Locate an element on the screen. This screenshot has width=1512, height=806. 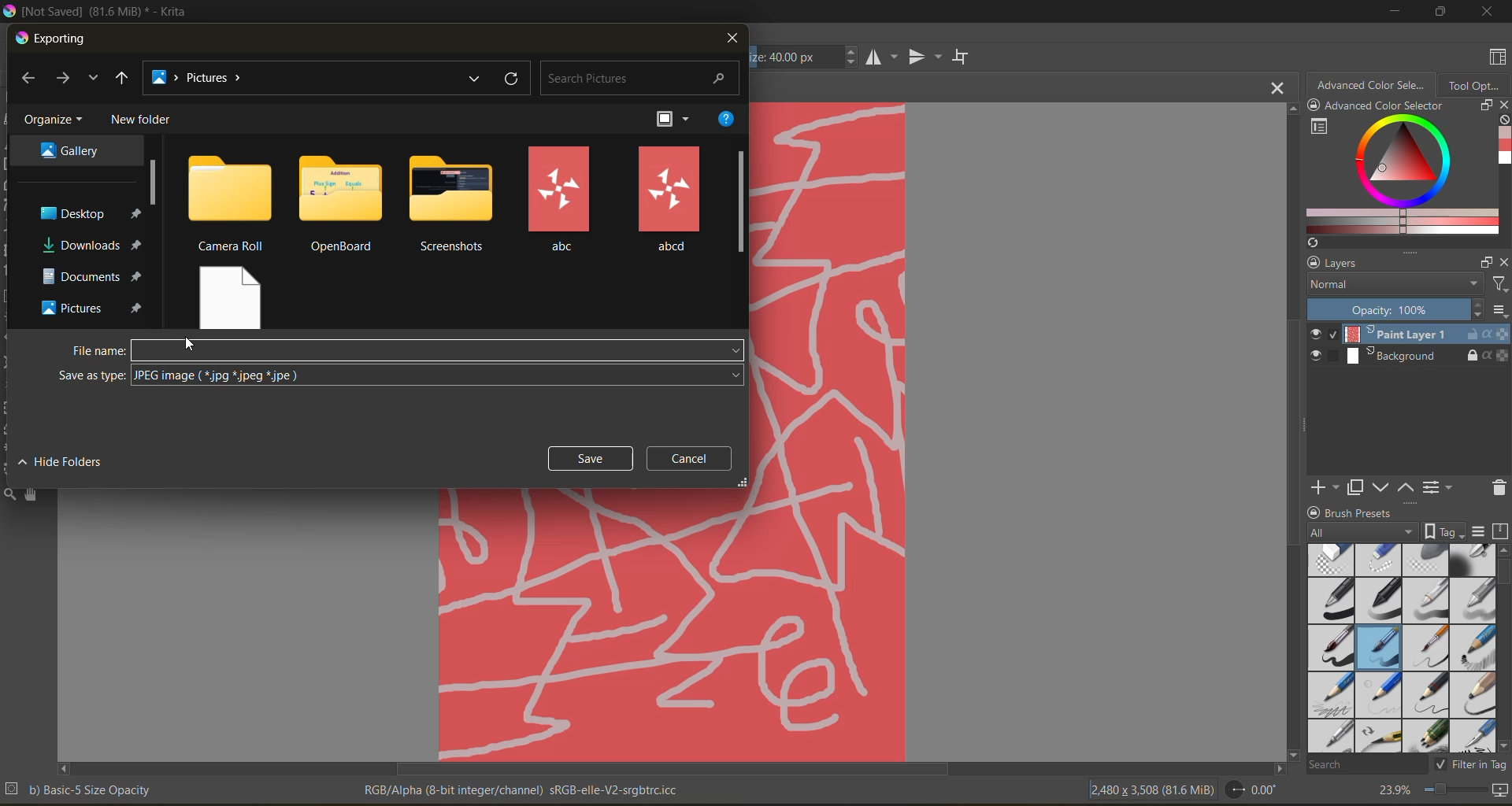
close is located at coordinates (1503, 262).